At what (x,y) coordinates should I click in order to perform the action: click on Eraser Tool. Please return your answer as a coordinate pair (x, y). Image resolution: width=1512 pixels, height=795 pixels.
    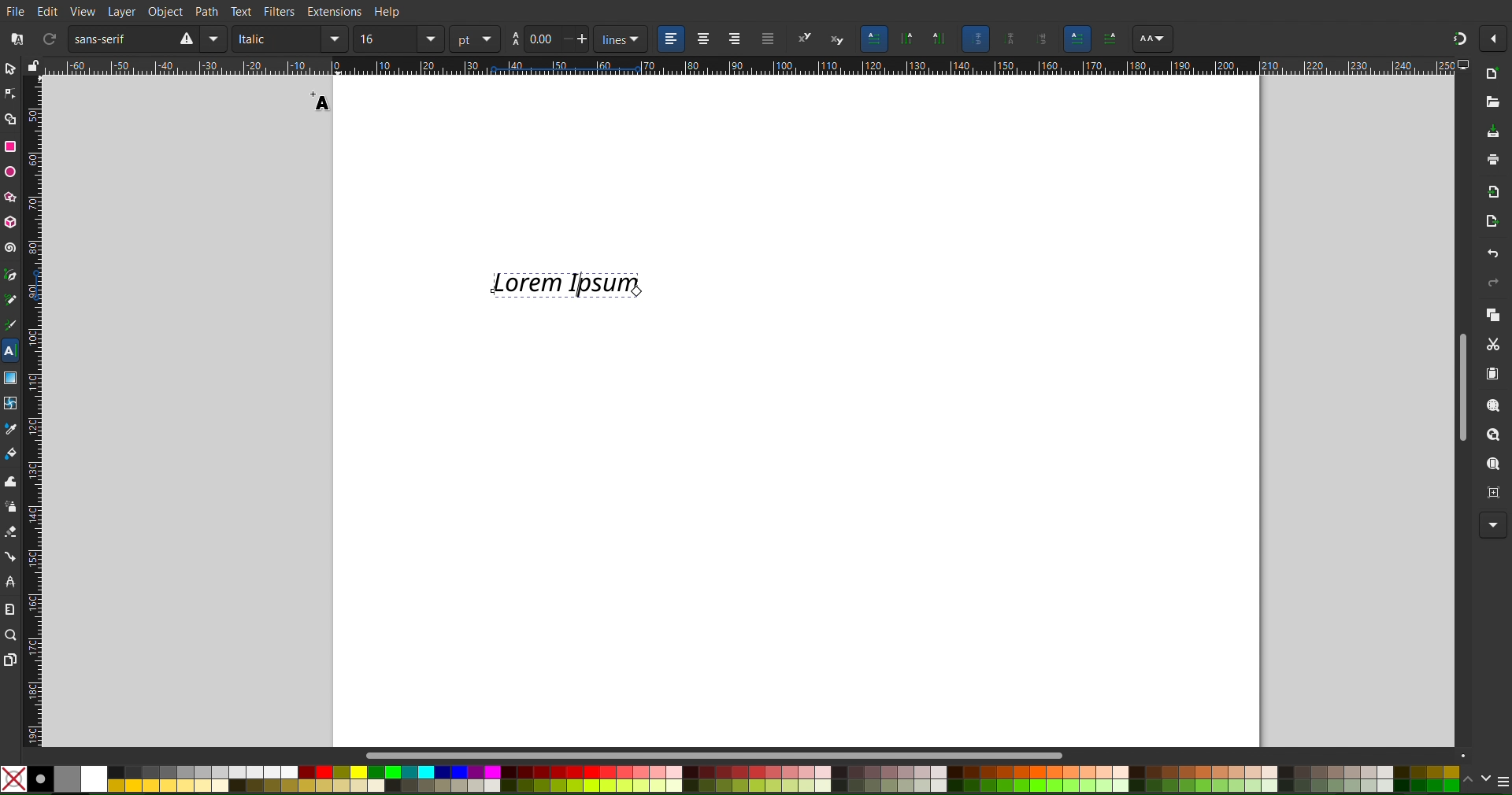
    Looking at the image, I should click on (11, 531).